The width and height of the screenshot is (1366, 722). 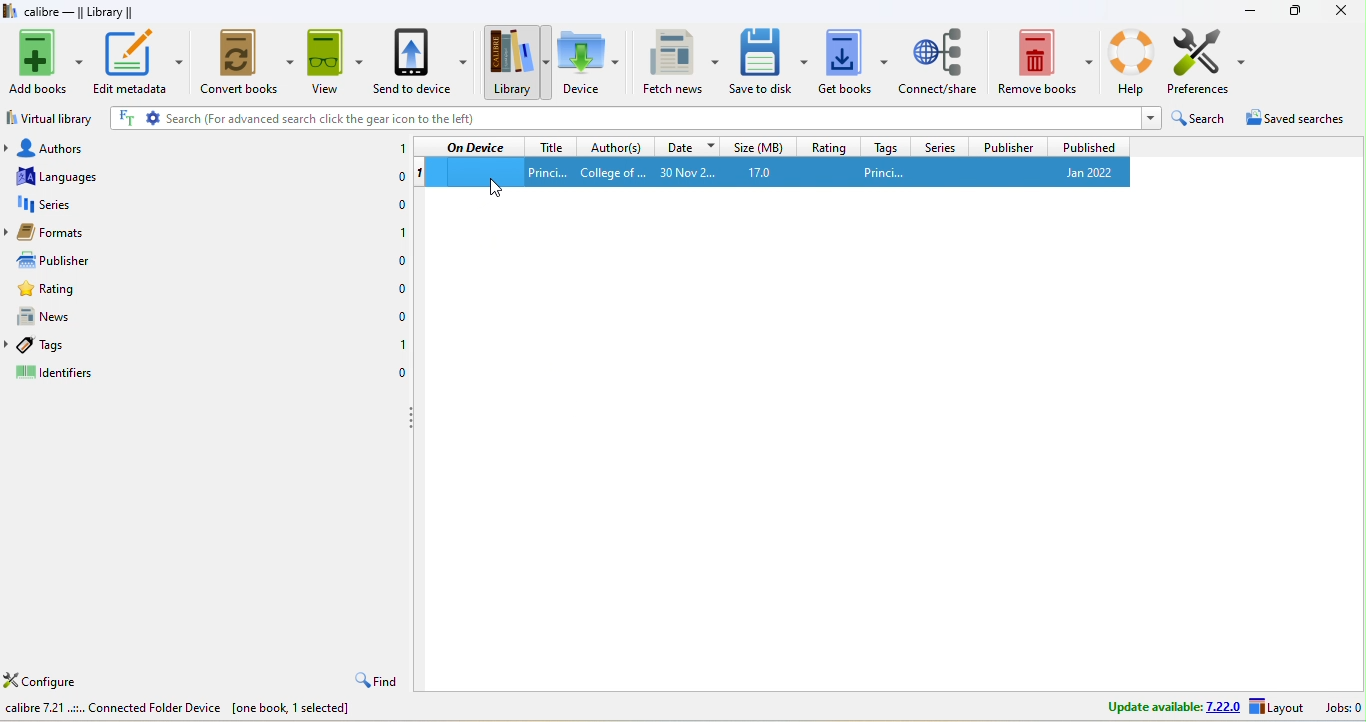 What do you see at coordinates (69, 372) in the screenshot?
I see `identifiers` at bounding box center [69, 372].